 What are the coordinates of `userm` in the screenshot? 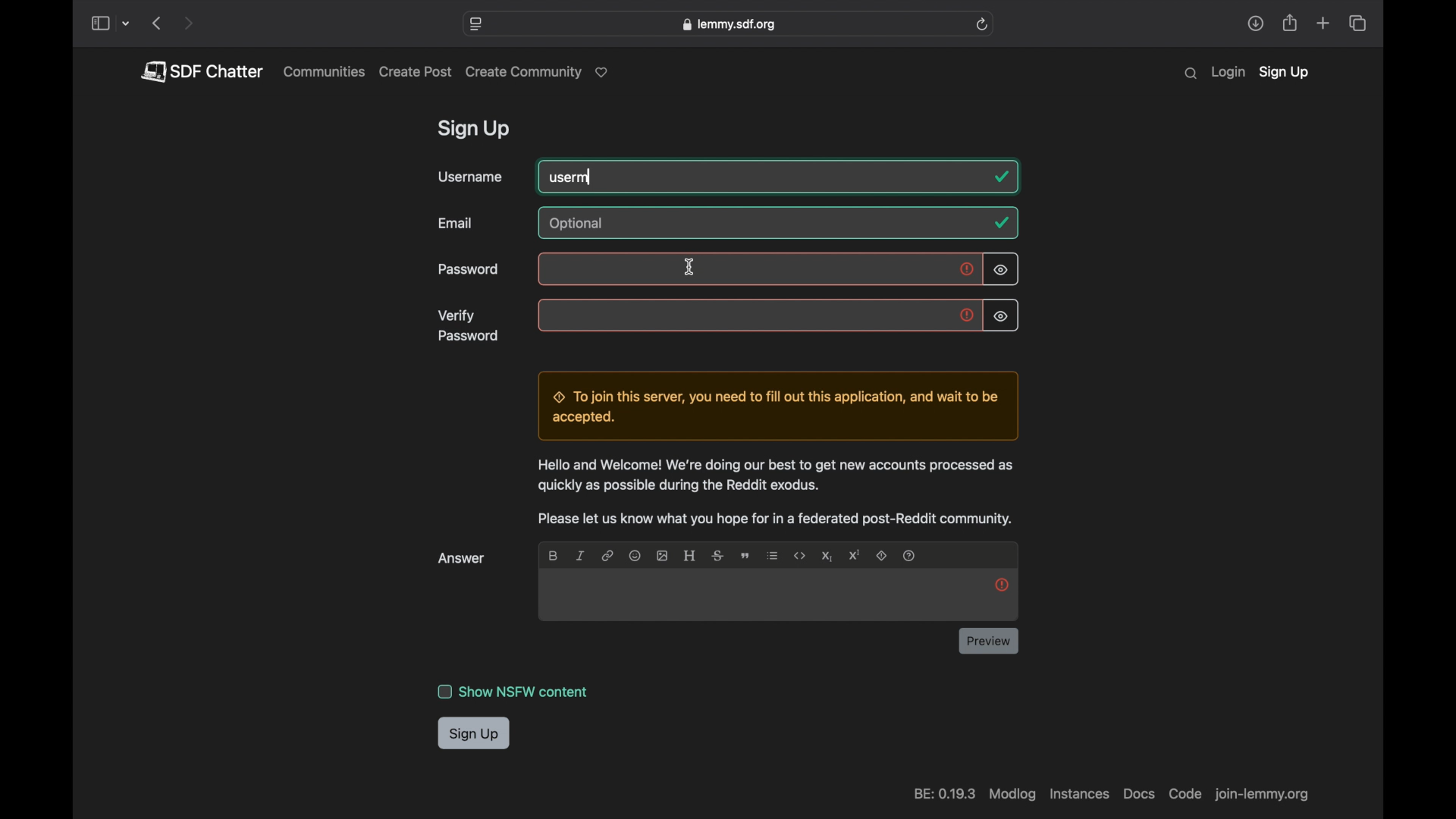 It's located at (572, 177).